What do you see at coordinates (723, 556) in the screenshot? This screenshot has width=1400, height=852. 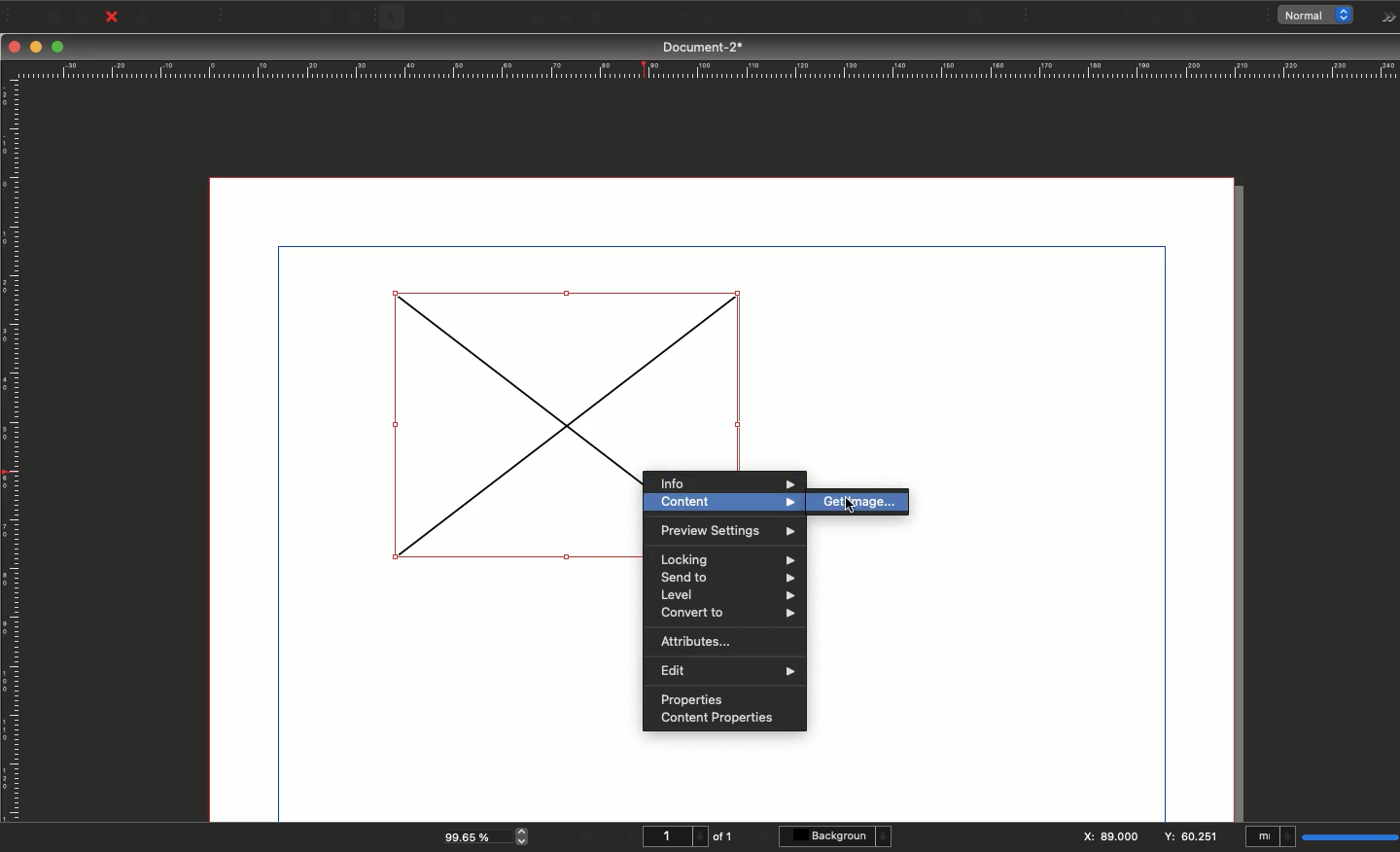 I see `Locking` at bounding box center [723, 556].